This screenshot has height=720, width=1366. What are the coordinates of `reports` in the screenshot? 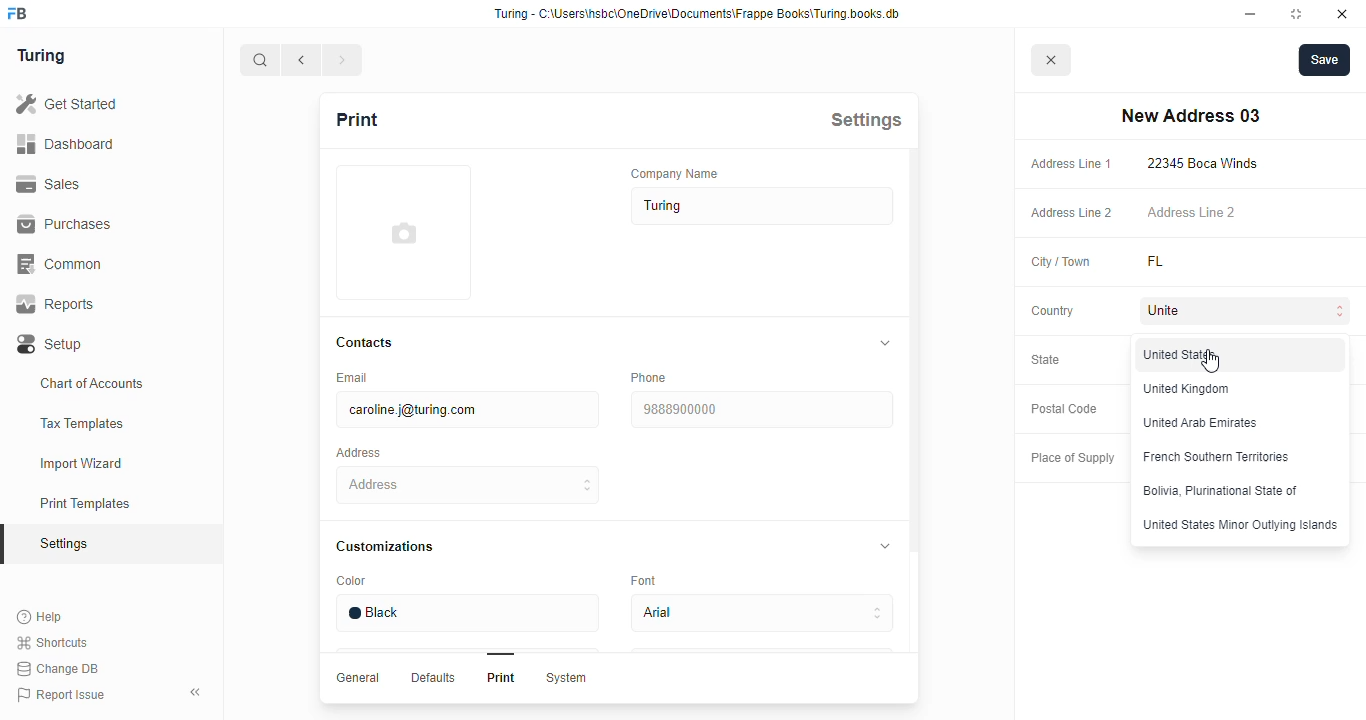 It's located at (56, 304).